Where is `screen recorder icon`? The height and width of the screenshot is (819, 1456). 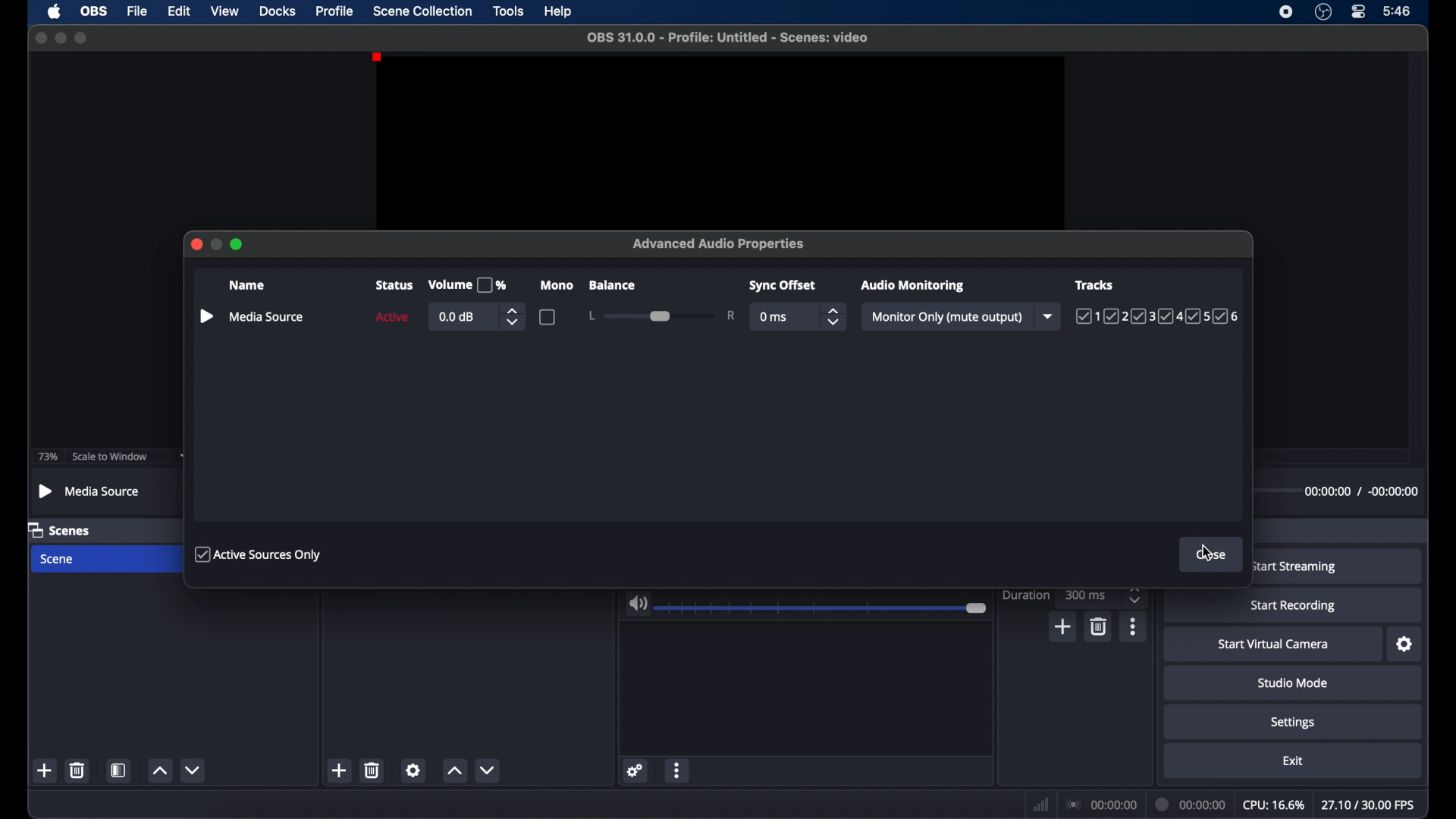 screen recorder icon is located at coordinates (1286, 11).